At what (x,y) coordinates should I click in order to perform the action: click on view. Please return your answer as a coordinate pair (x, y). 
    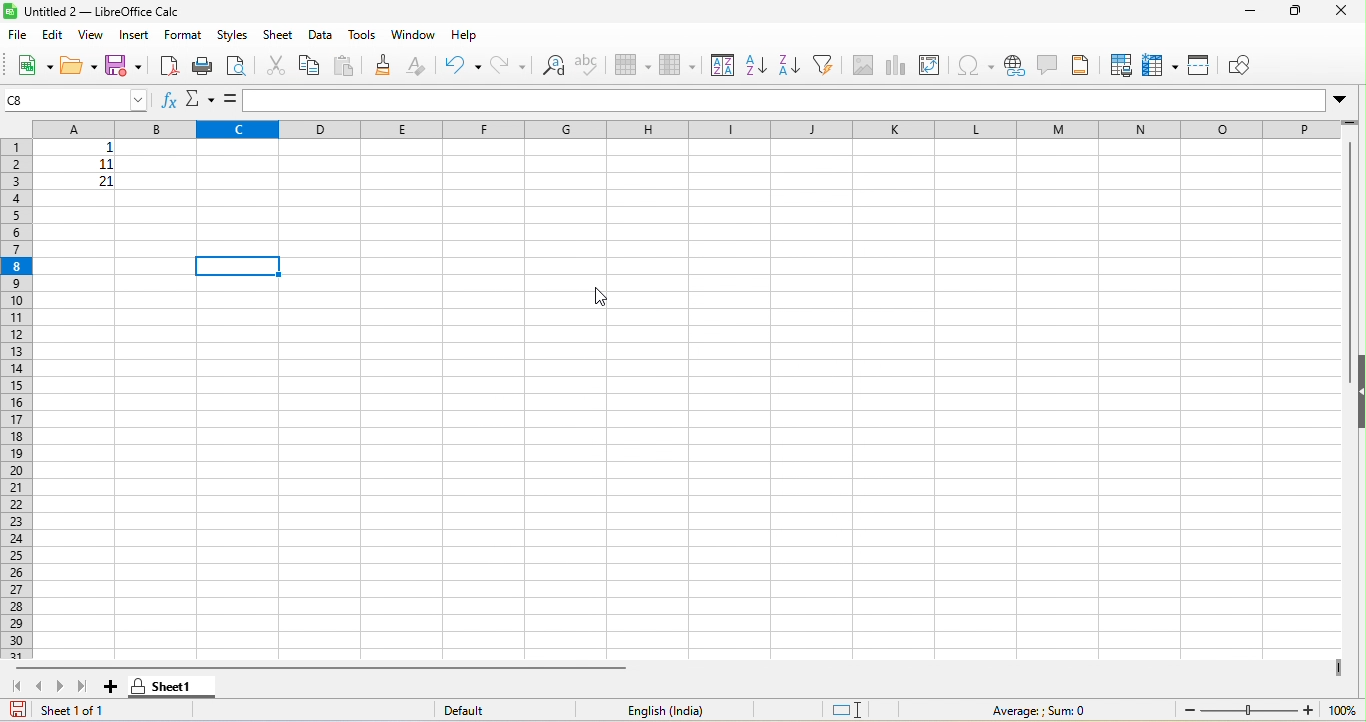
    Looking at the image, I should click on (92, 34).